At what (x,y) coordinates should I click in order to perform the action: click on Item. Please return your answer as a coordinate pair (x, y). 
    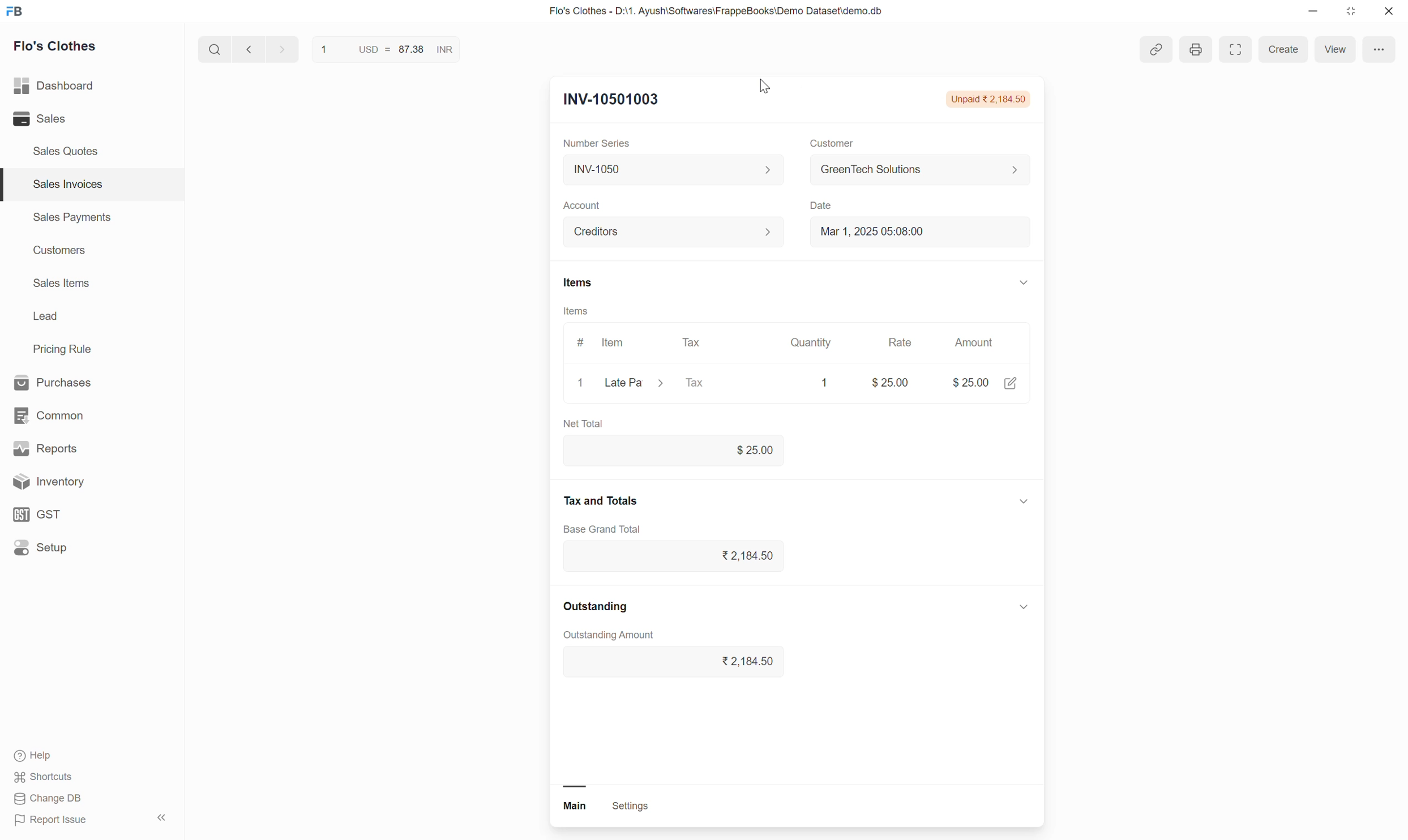
    Looking at the image, I should click on (617, 341).